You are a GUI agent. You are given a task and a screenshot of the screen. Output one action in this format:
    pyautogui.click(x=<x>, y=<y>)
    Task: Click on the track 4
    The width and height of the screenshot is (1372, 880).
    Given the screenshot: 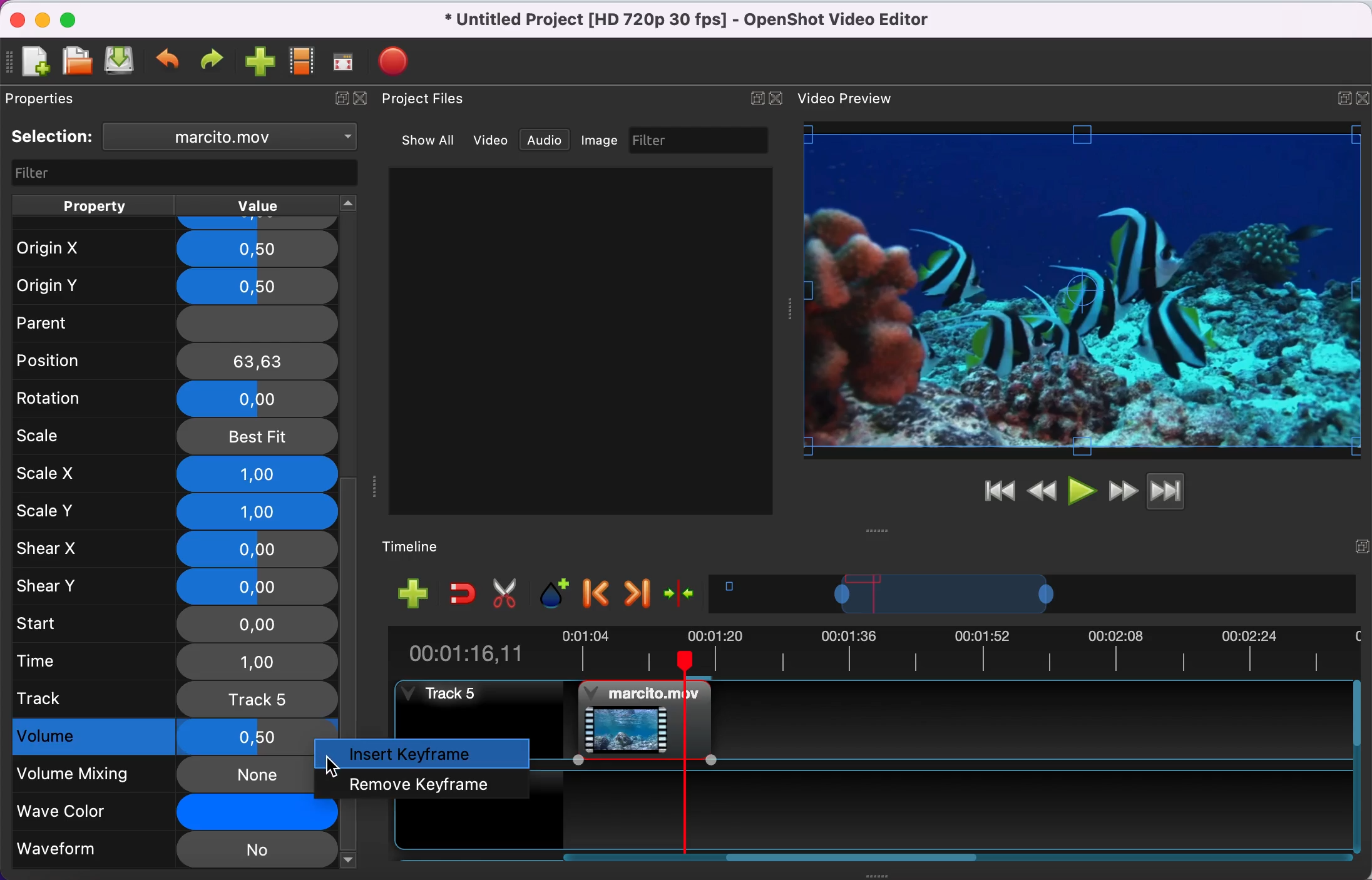 What is the action you would take?
    pyautogui.click(x=950, y=804)
    